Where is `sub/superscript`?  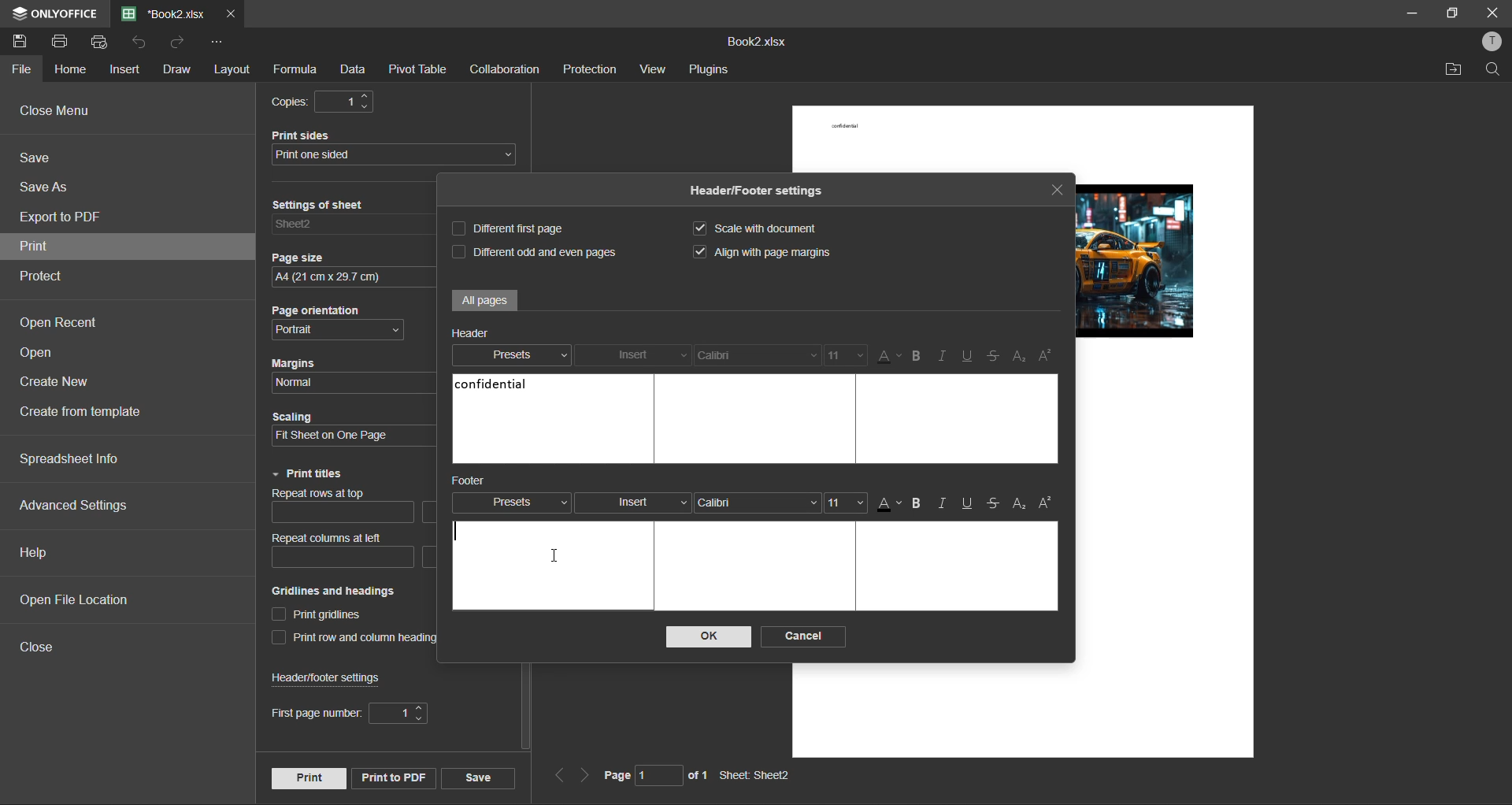 sub/superscript is located at coordinates (1019, 357).